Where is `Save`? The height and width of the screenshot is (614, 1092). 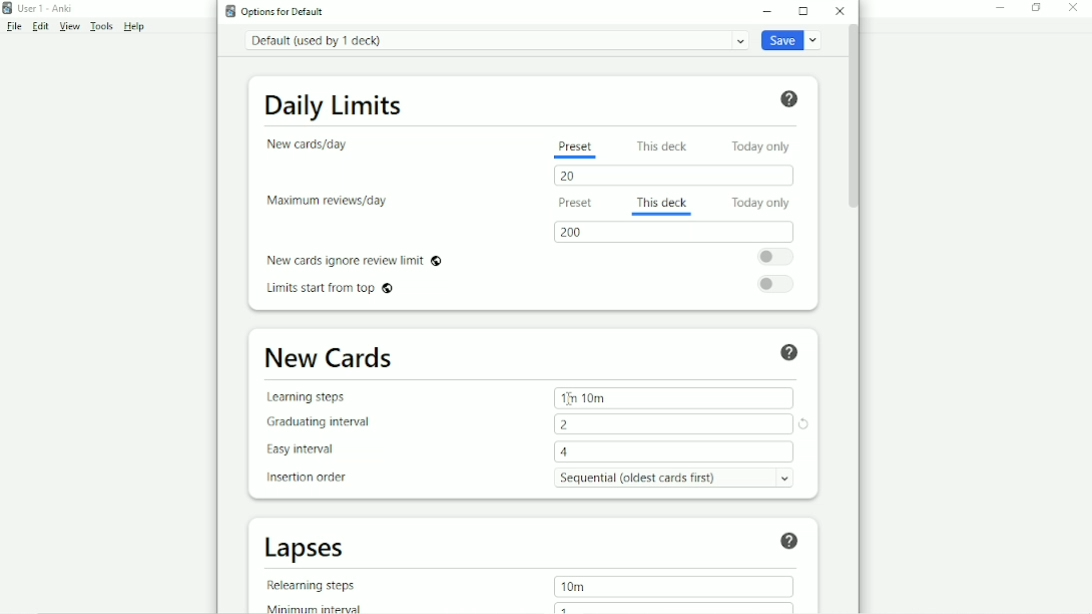
Save is located at coordinates (790, 40).